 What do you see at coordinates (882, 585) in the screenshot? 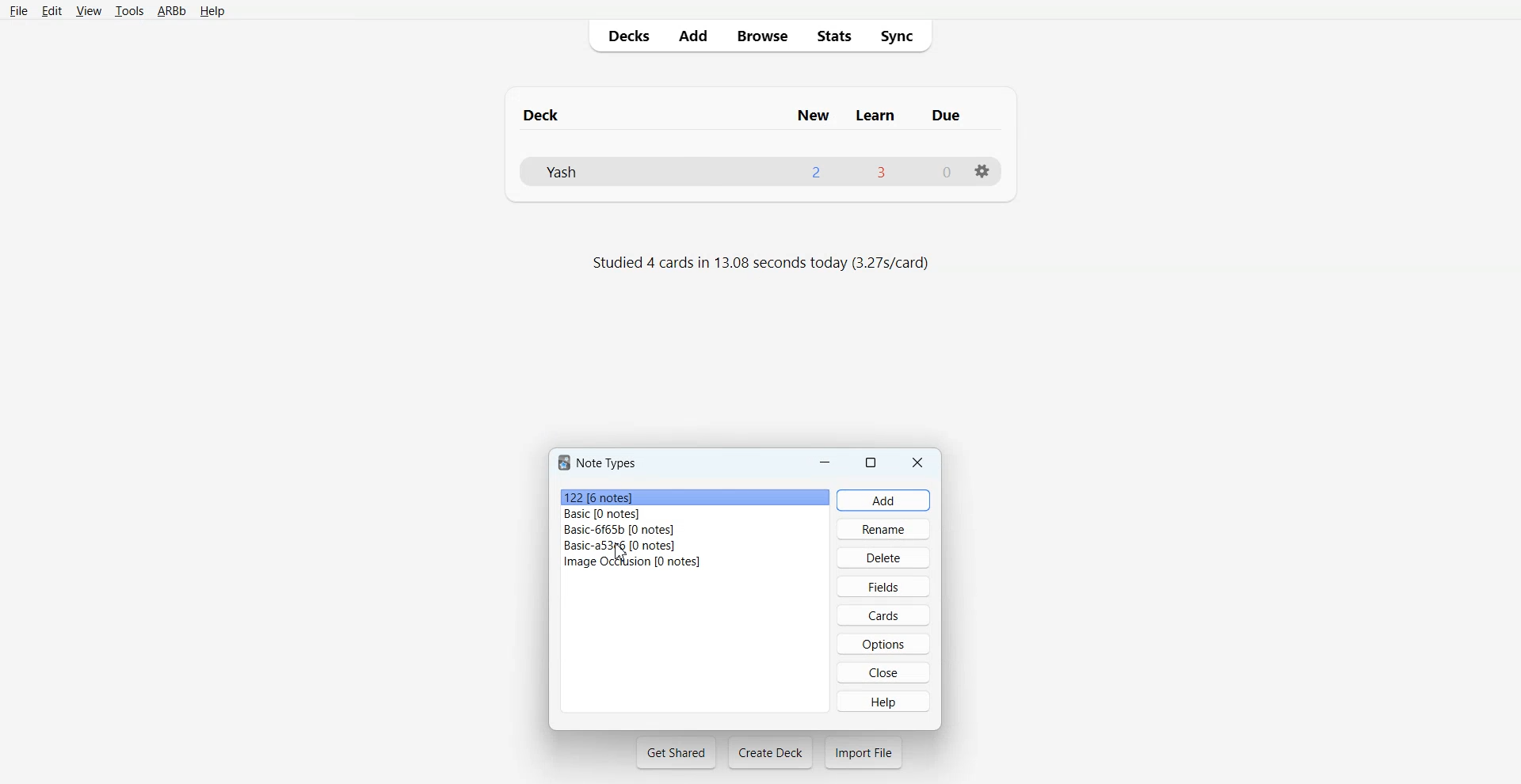
I see `Fields` at bounding box center [882, 585].